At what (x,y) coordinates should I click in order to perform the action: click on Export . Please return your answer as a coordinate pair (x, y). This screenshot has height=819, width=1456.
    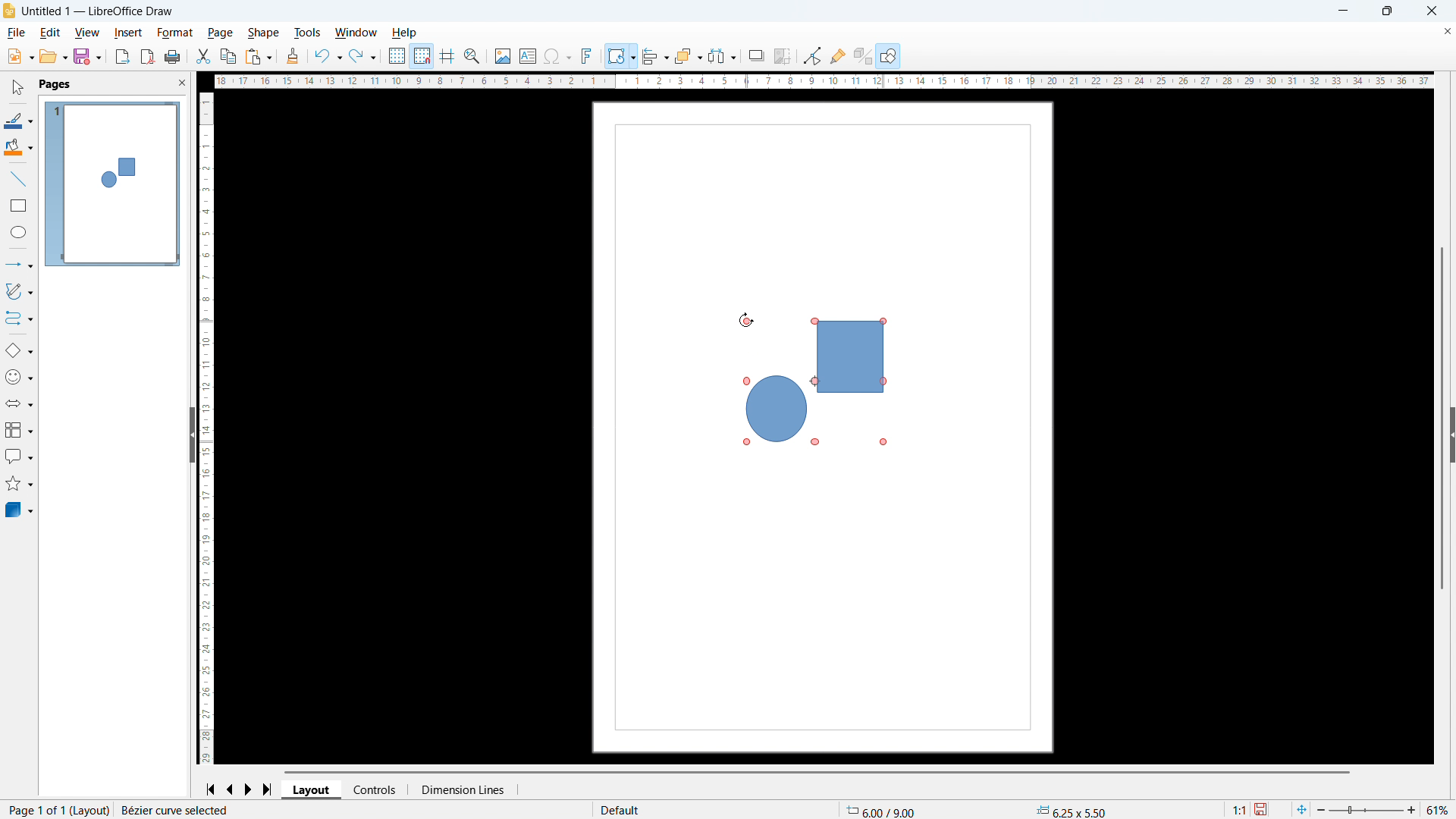
    Looking at the image, I should click on (121, 58).